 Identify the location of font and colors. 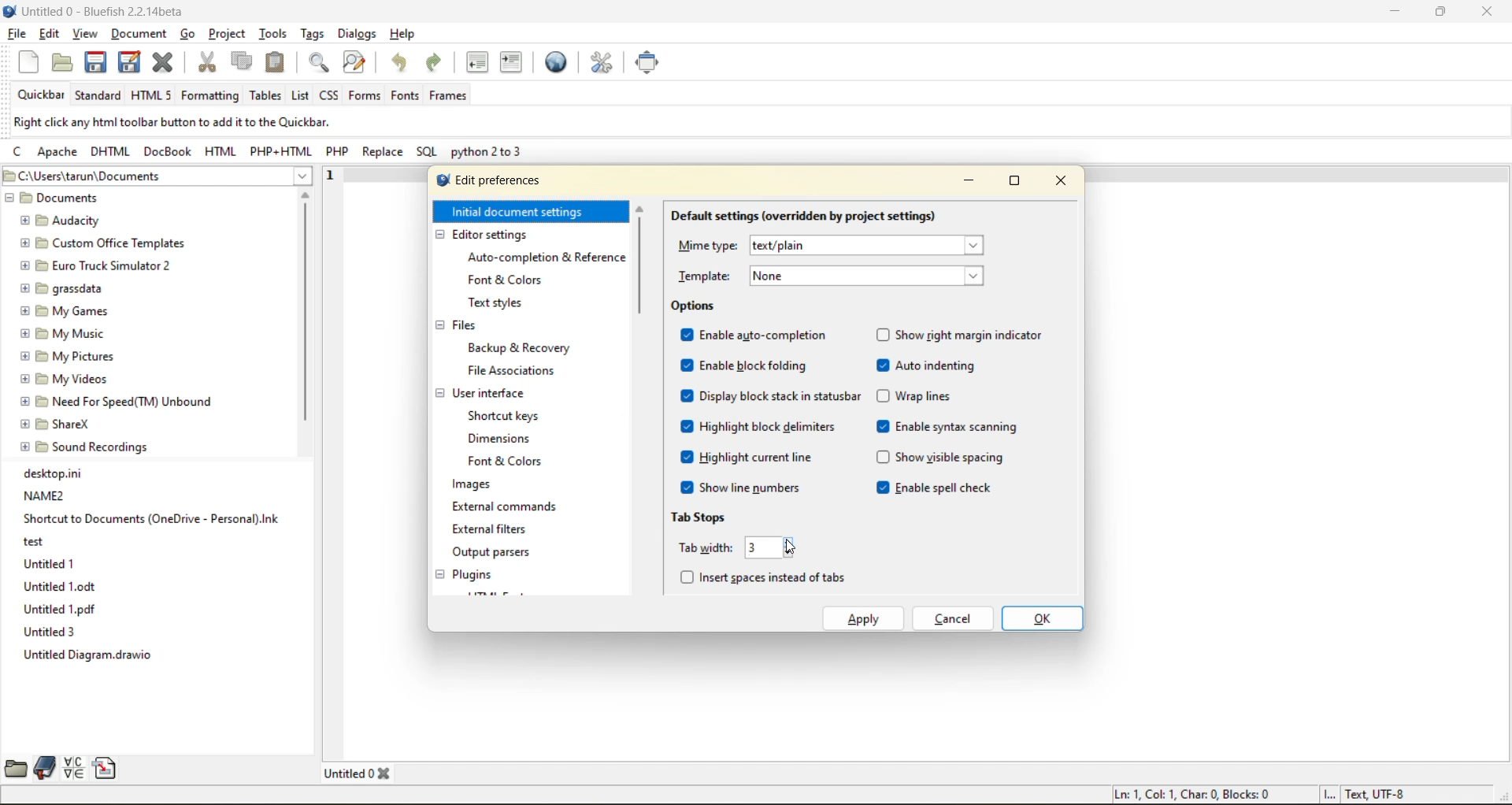
(510, 462).